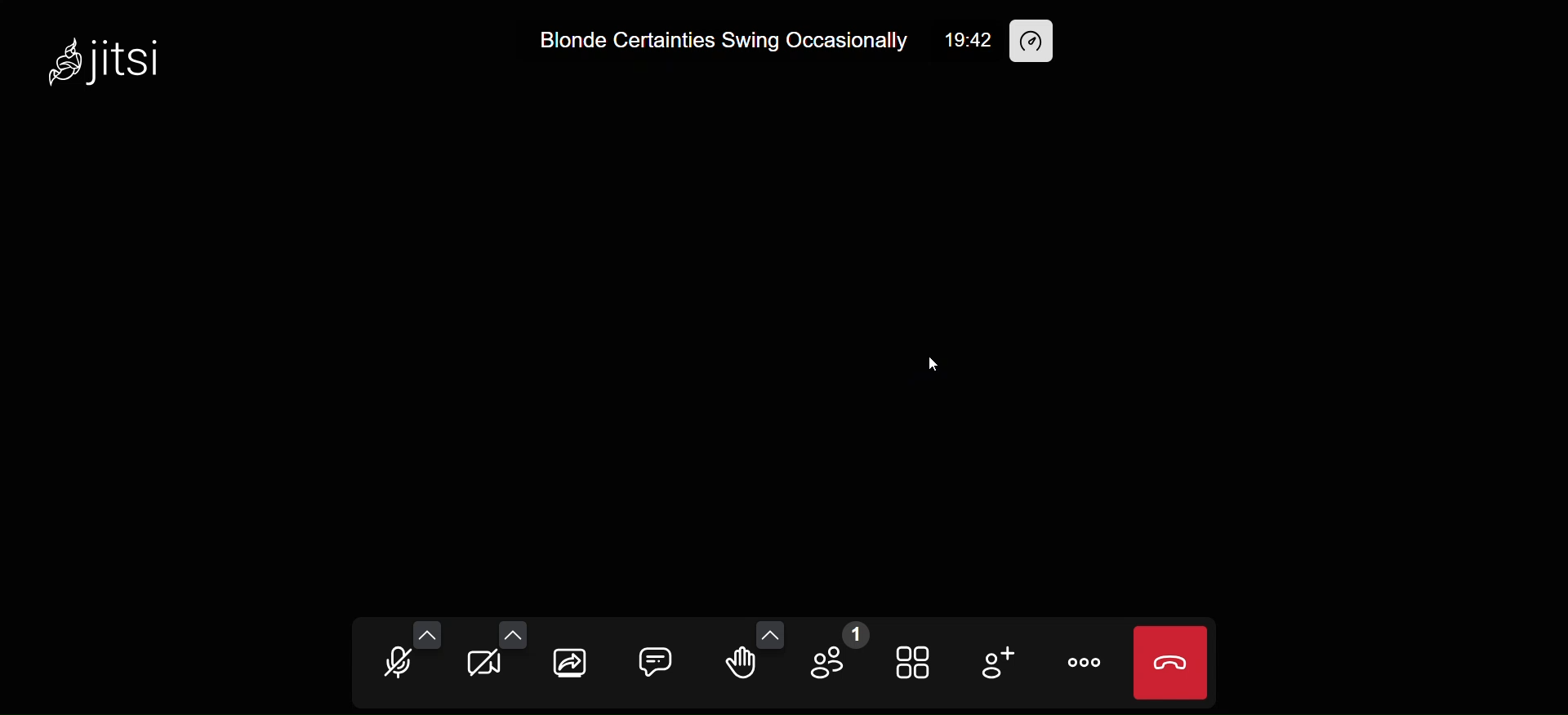 The height and width of the screenshot is (715, 1568). Describe the element at coordinates (916, 665) in the screenshot. I see `tile view` at that location.